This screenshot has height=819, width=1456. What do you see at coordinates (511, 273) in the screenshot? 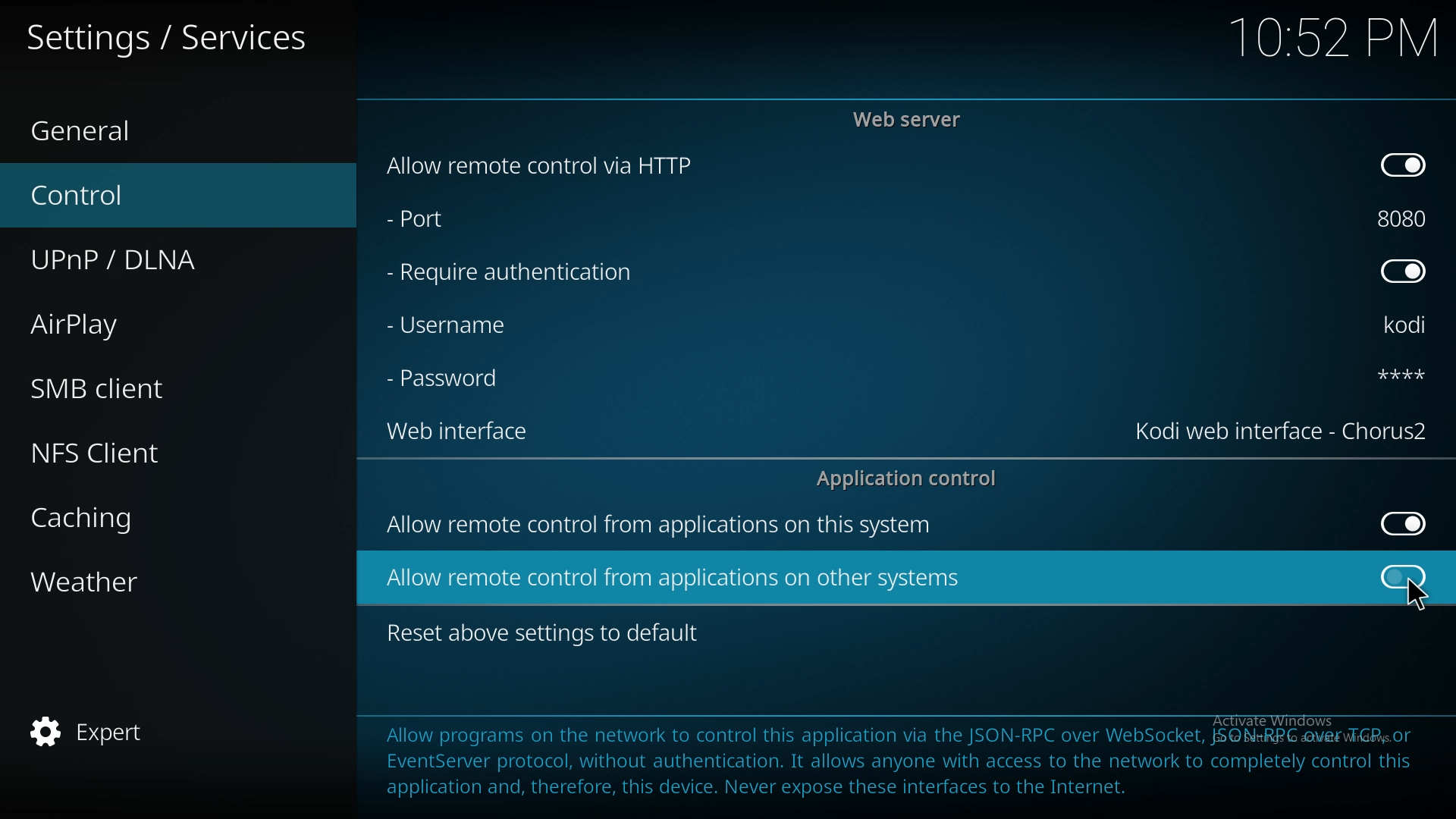
I see `require authentication` at bounding box center [511, 273].